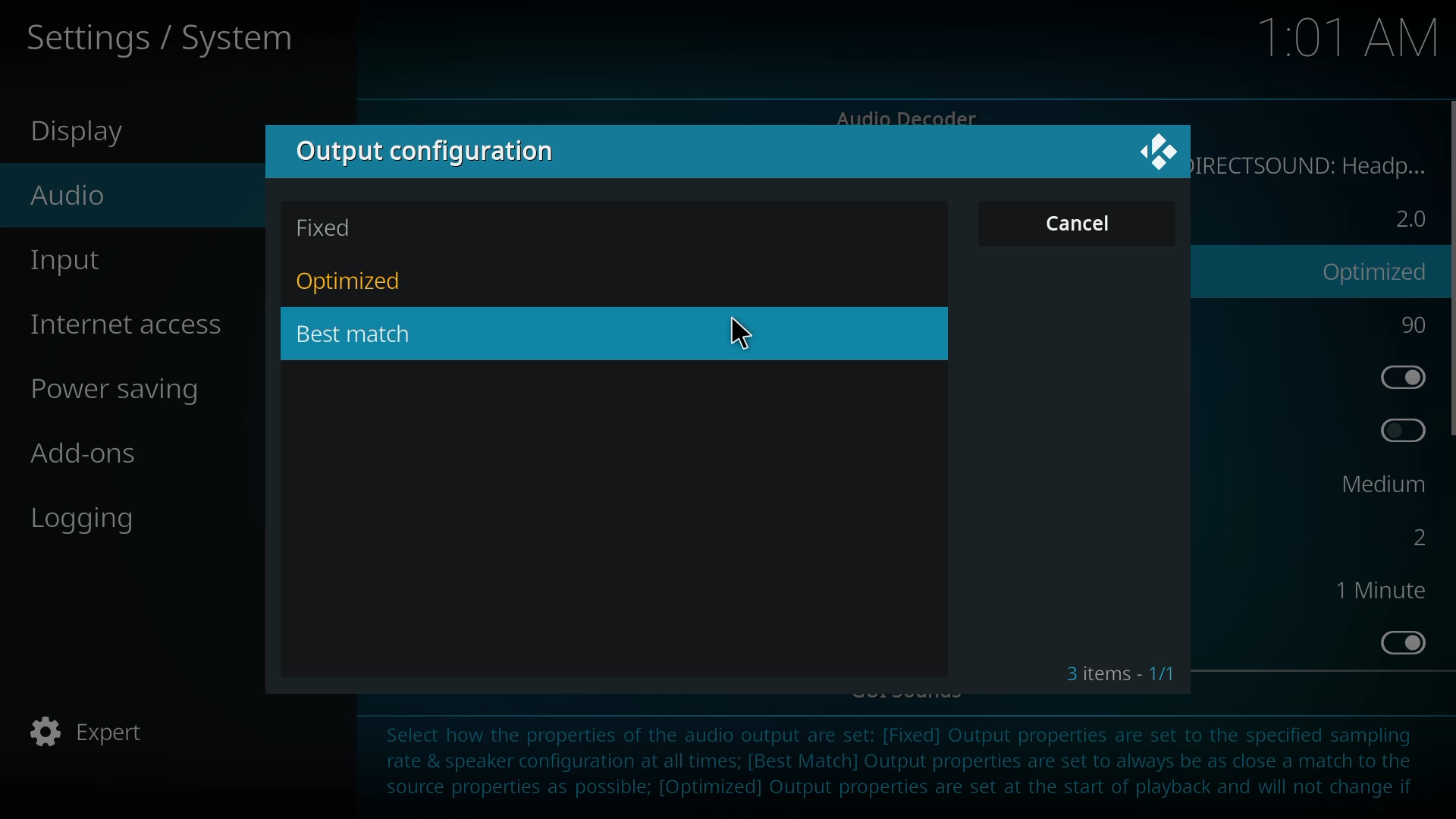 This screenshot has width=1456, height=819. I want to click on 90, so click(1413, 324).